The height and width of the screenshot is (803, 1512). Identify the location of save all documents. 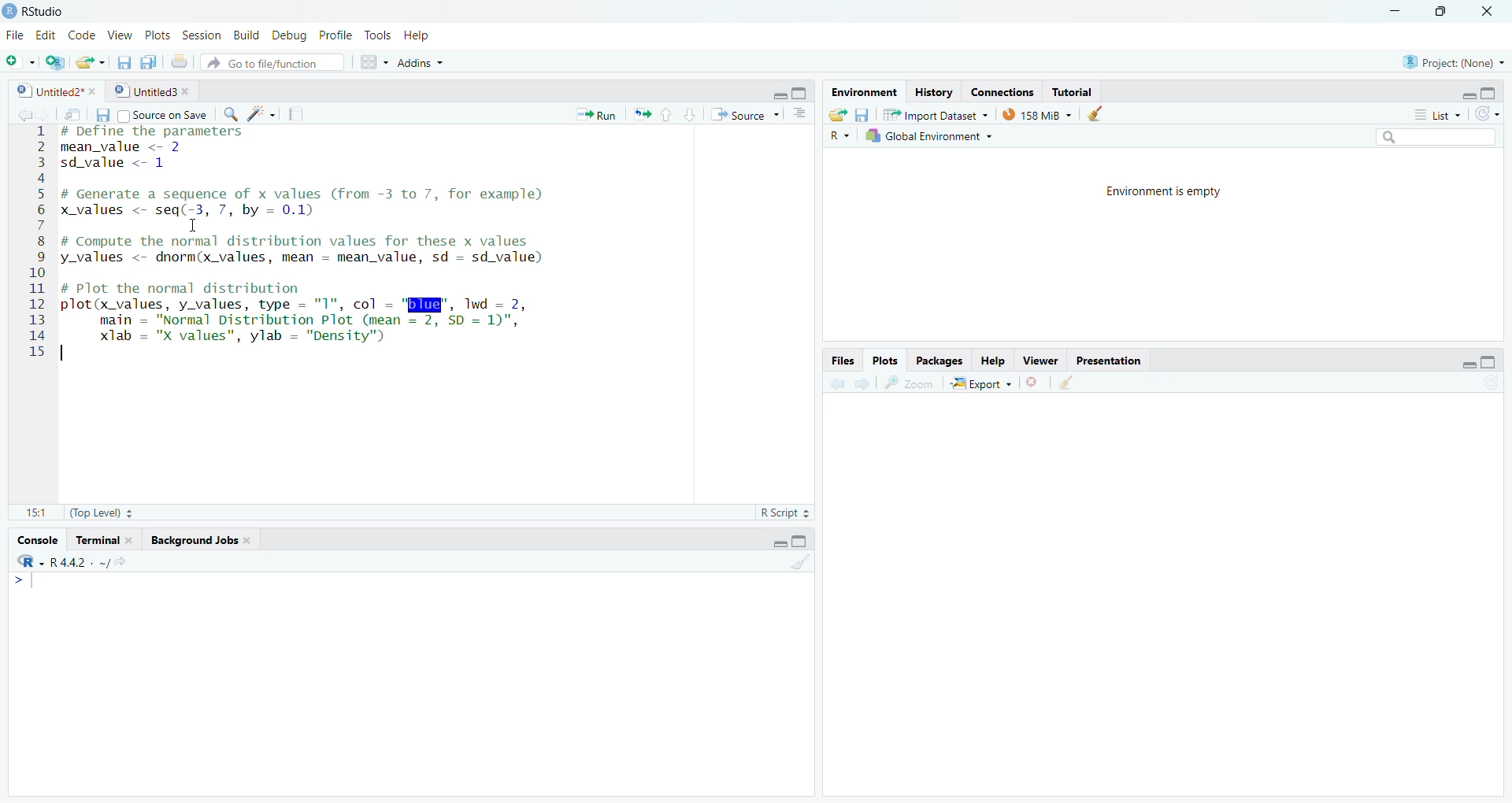
(146, 61).